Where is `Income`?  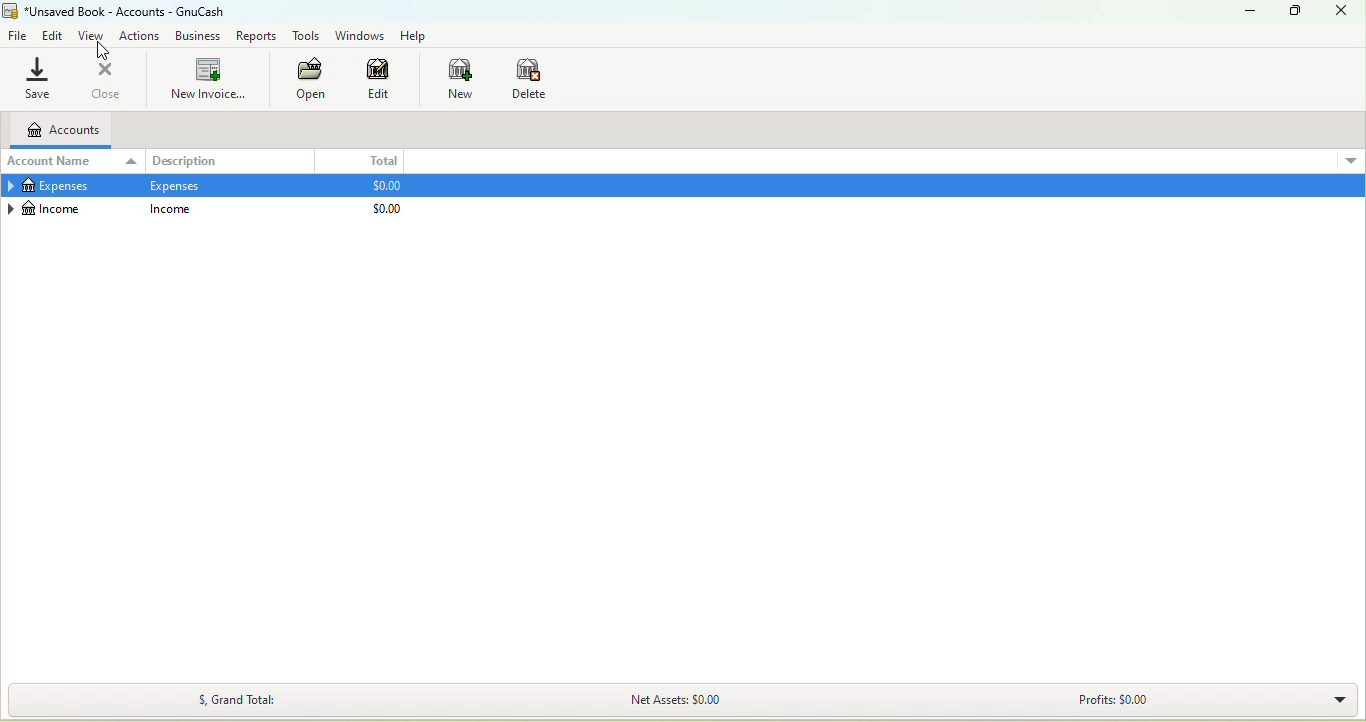 Income is located at coordinates (170, 208).